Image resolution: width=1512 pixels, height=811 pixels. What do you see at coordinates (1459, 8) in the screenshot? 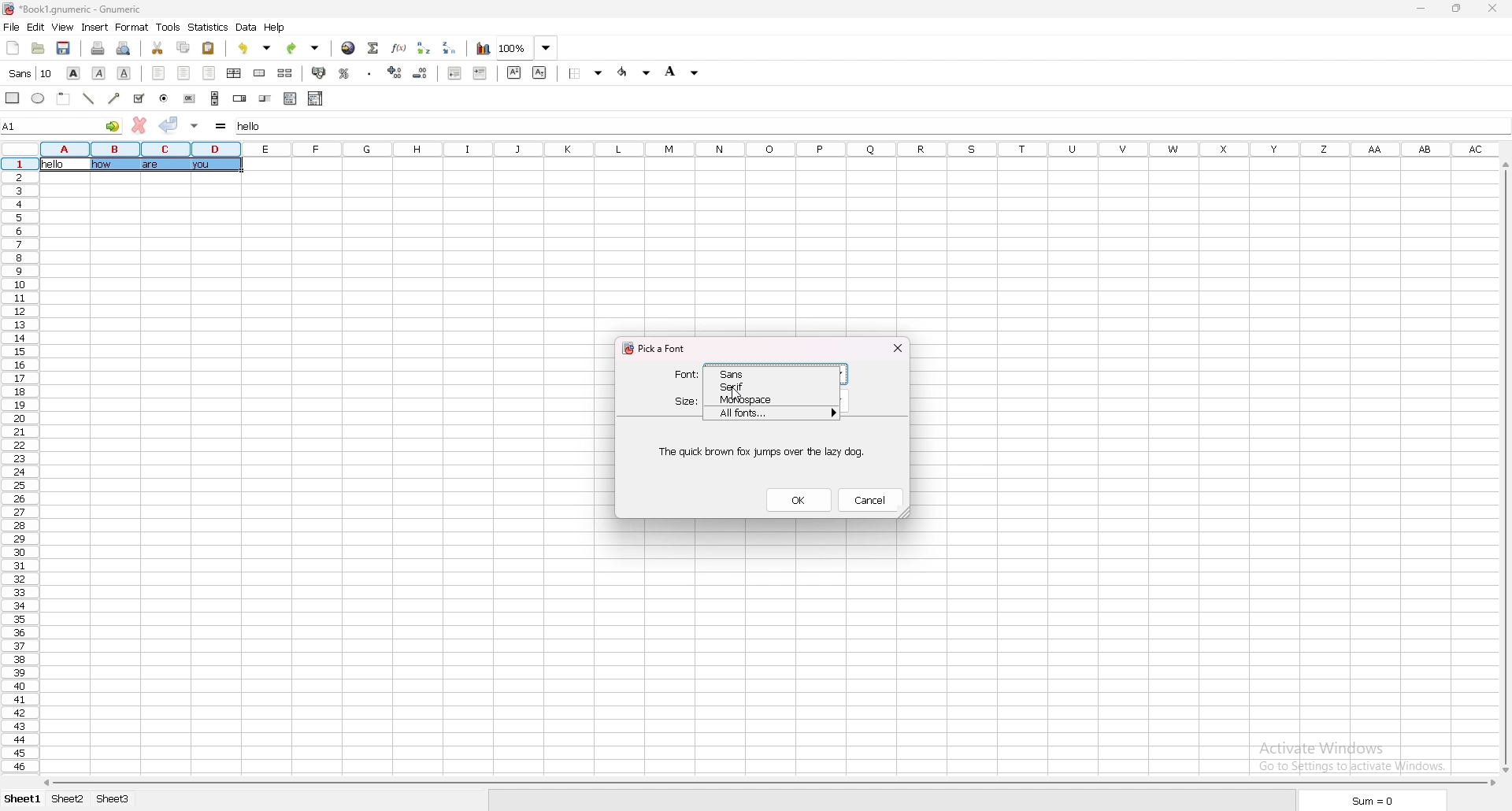
I see `resize` at bounding box center [1459, 8].